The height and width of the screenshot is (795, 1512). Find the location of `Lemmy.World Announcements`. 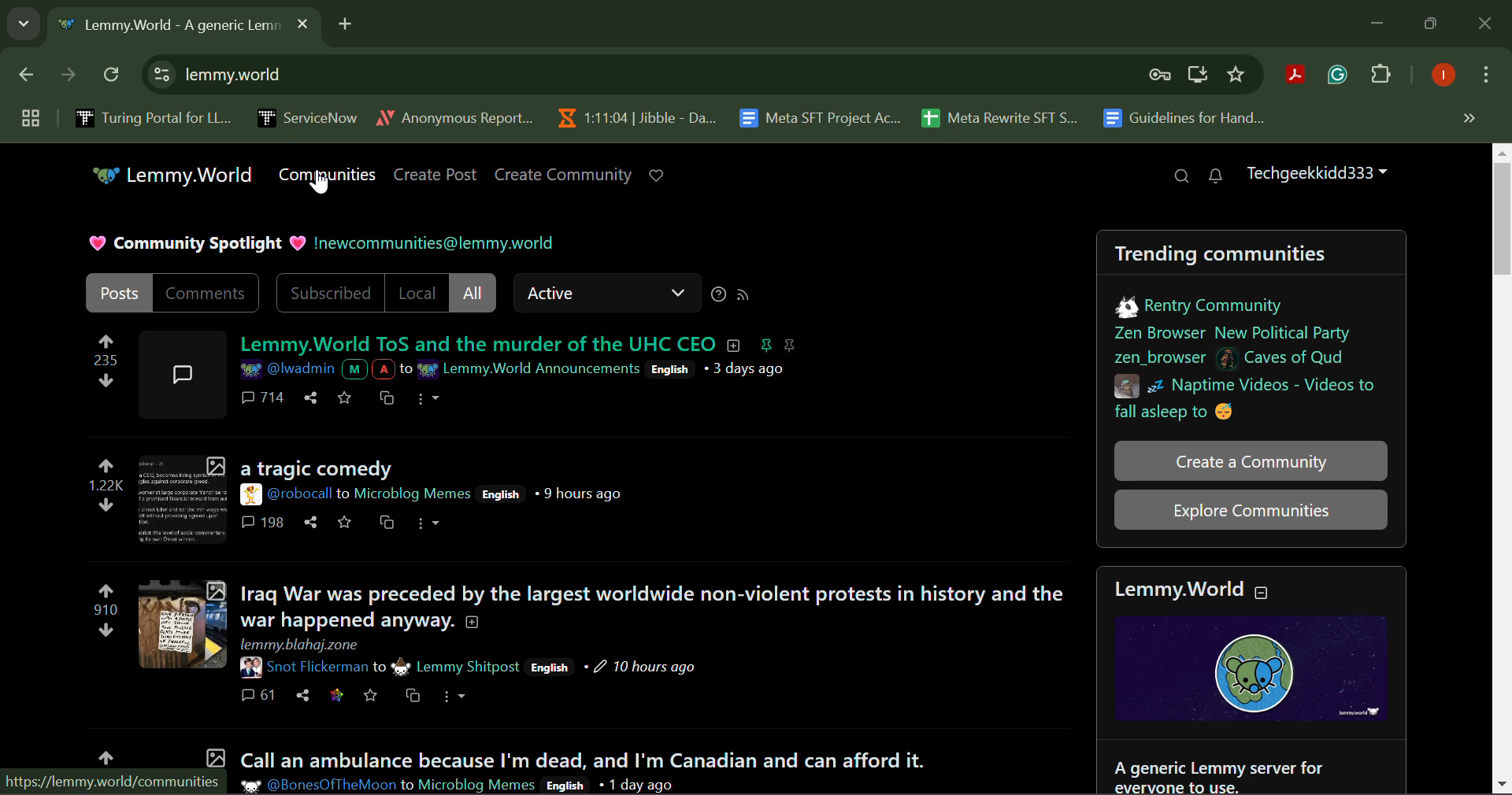

Lemmy.World Announcements is located at coordinates (529, 369).